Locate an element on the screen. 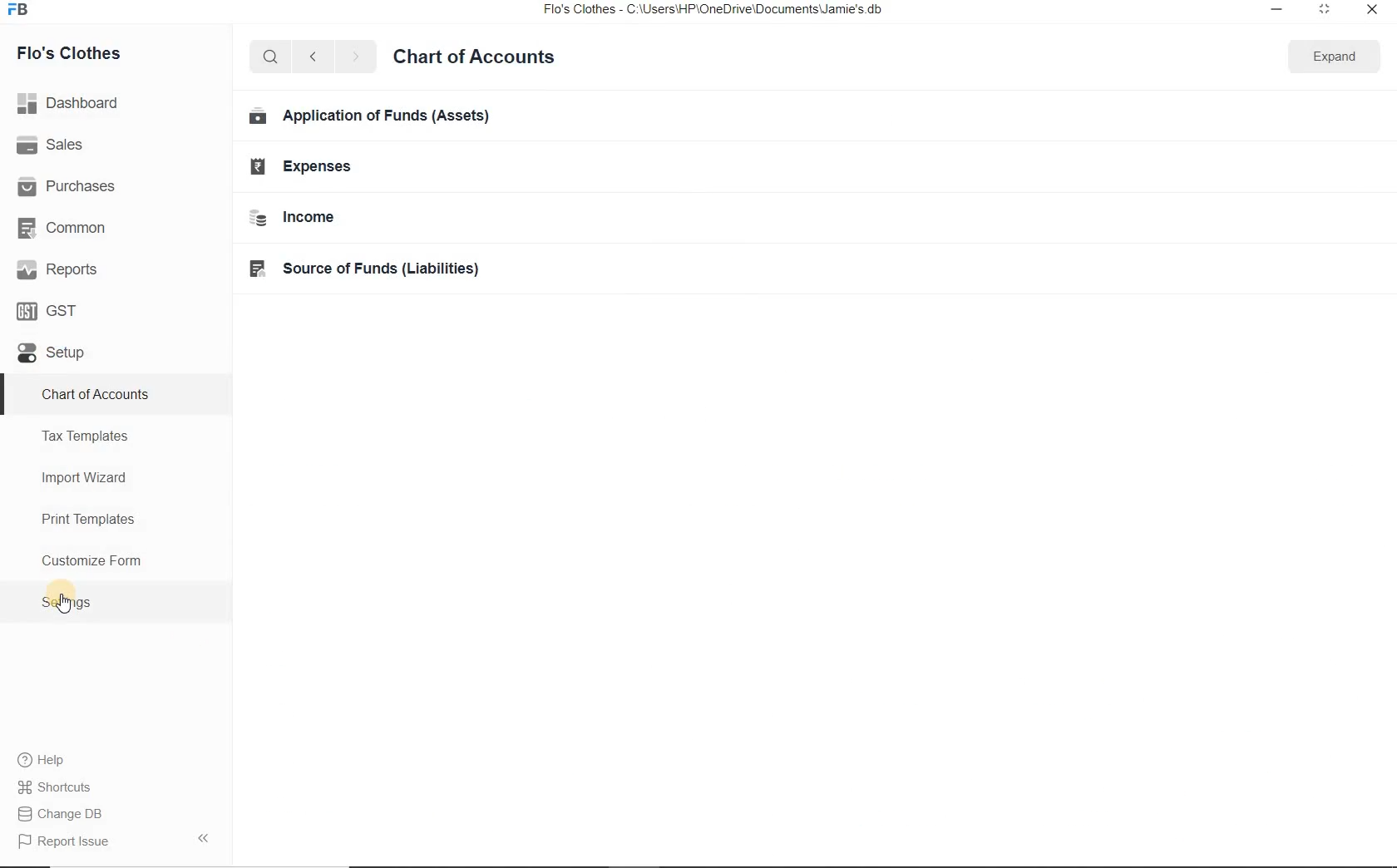 Image resolution: width=1397 pixels, height=868 pixels. FB logo is located at coordinates (23, 10).